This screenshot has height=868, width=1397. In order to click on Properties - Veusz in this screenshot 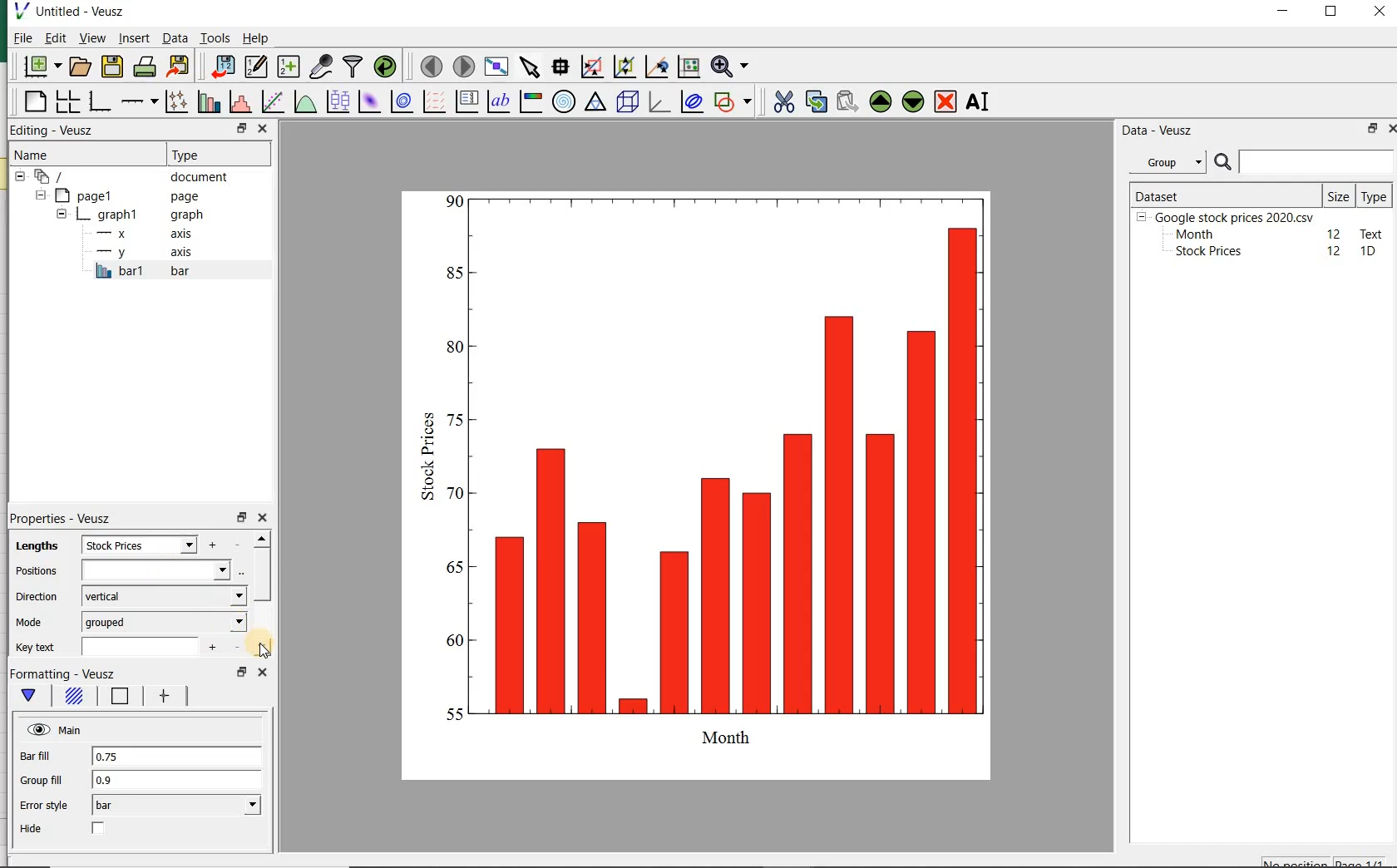, I will do `click(65, 519)`.